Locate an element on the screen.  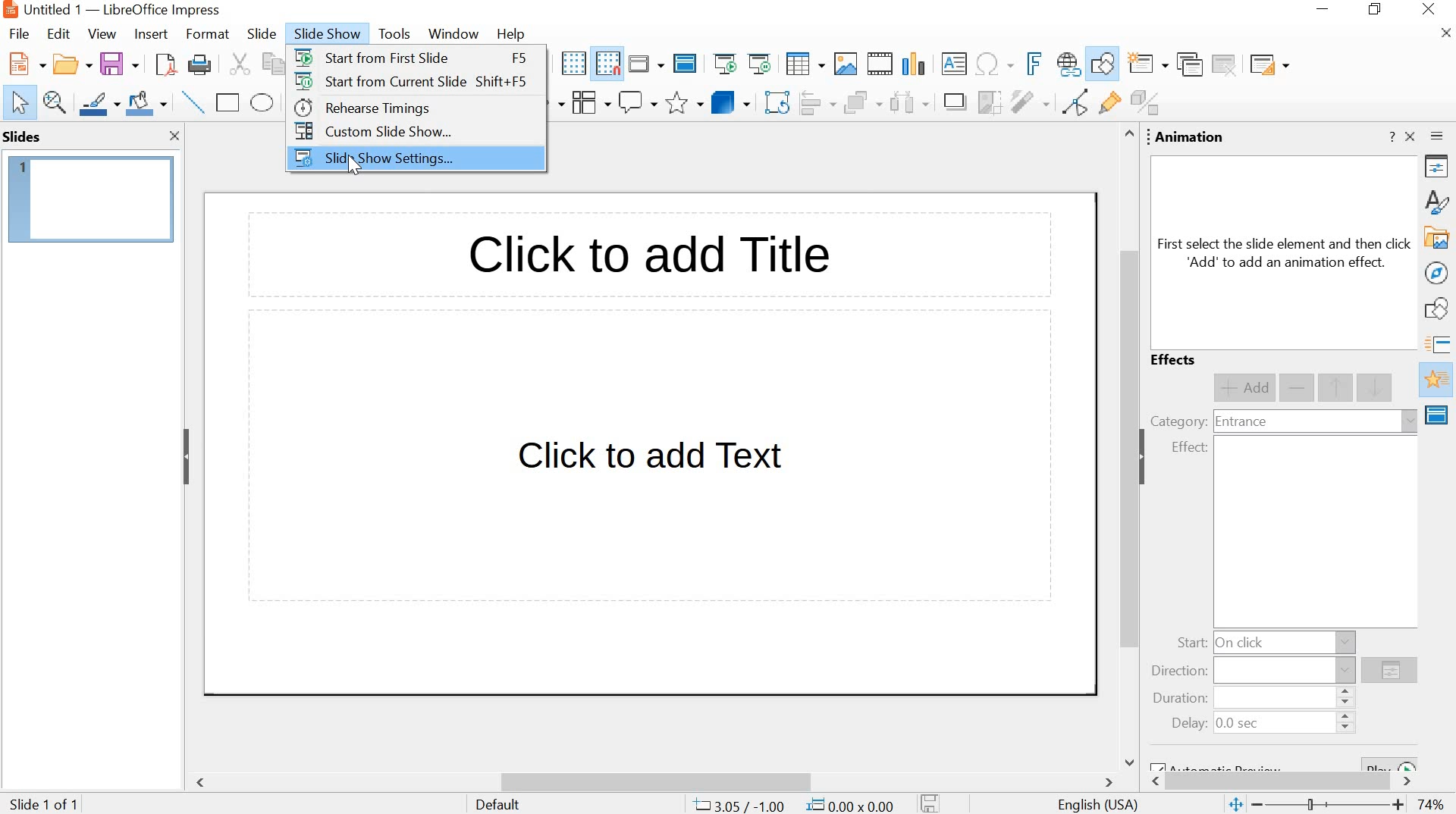
rehearse timings is located at coordinates (361, 108).